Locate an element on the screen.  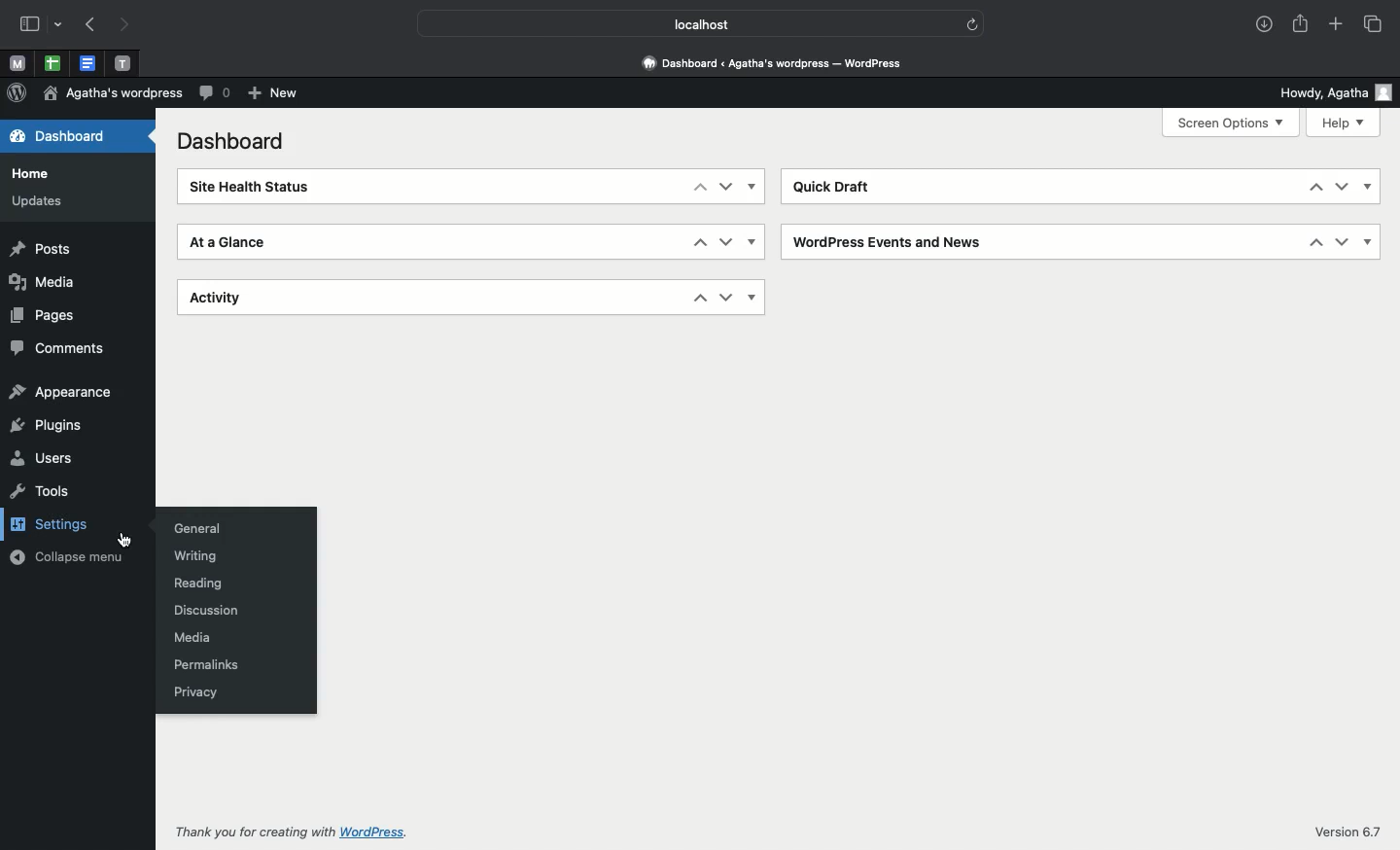
Show is located at coordinates (752, 241).